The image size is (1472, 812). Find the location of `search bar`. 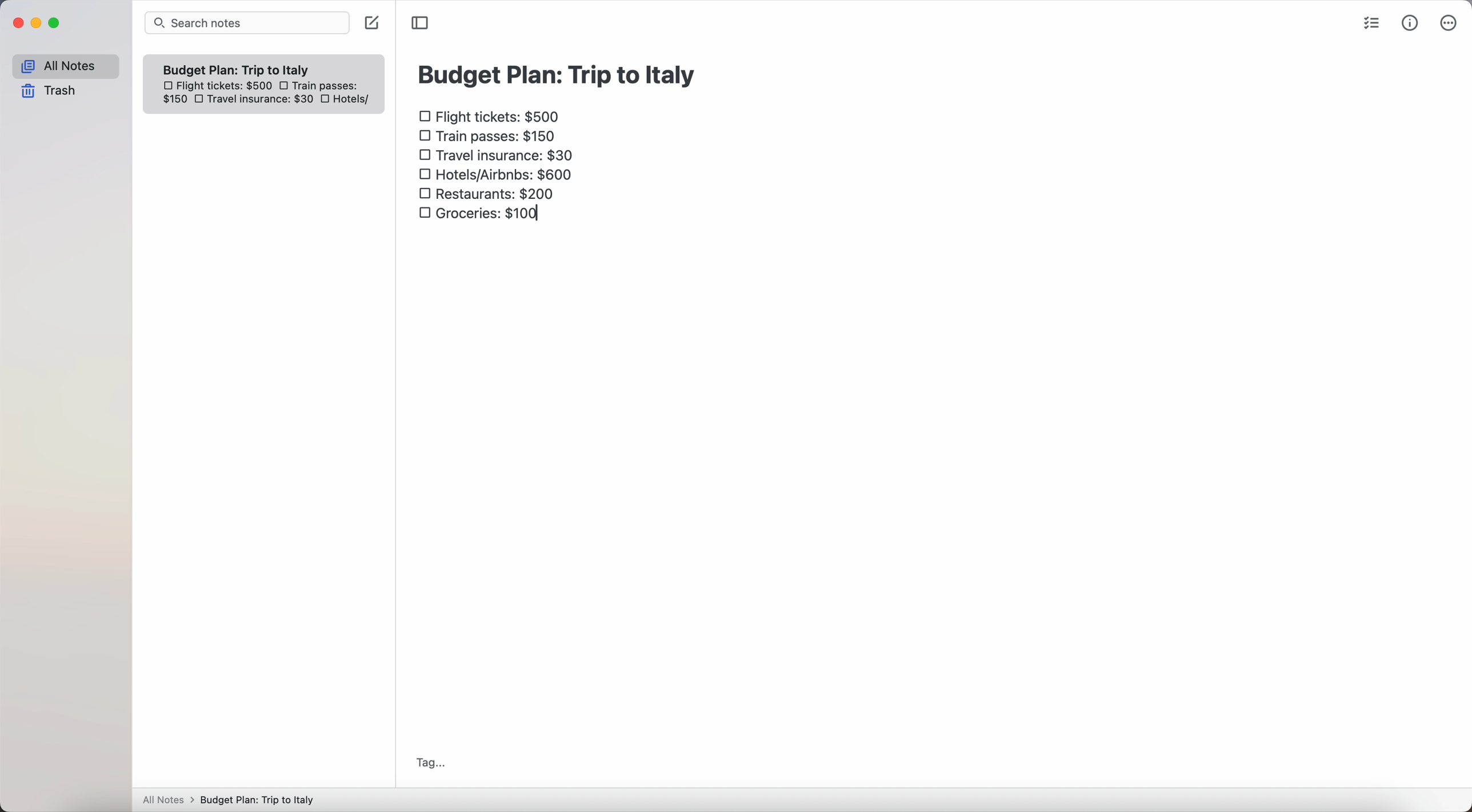

search bar is located at coordinates (247, 23).